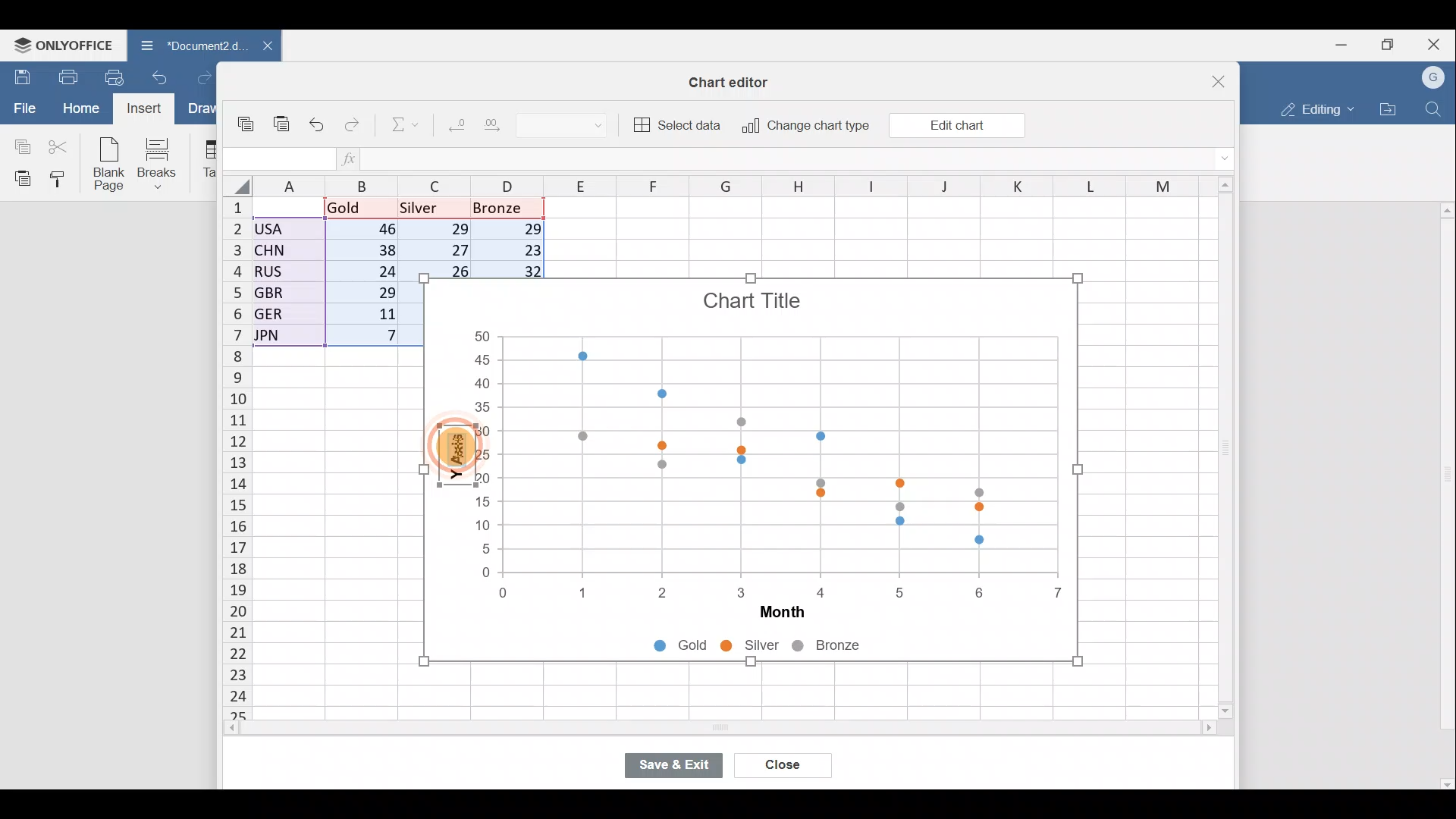  I want to click on Rows, so click(227, 460).